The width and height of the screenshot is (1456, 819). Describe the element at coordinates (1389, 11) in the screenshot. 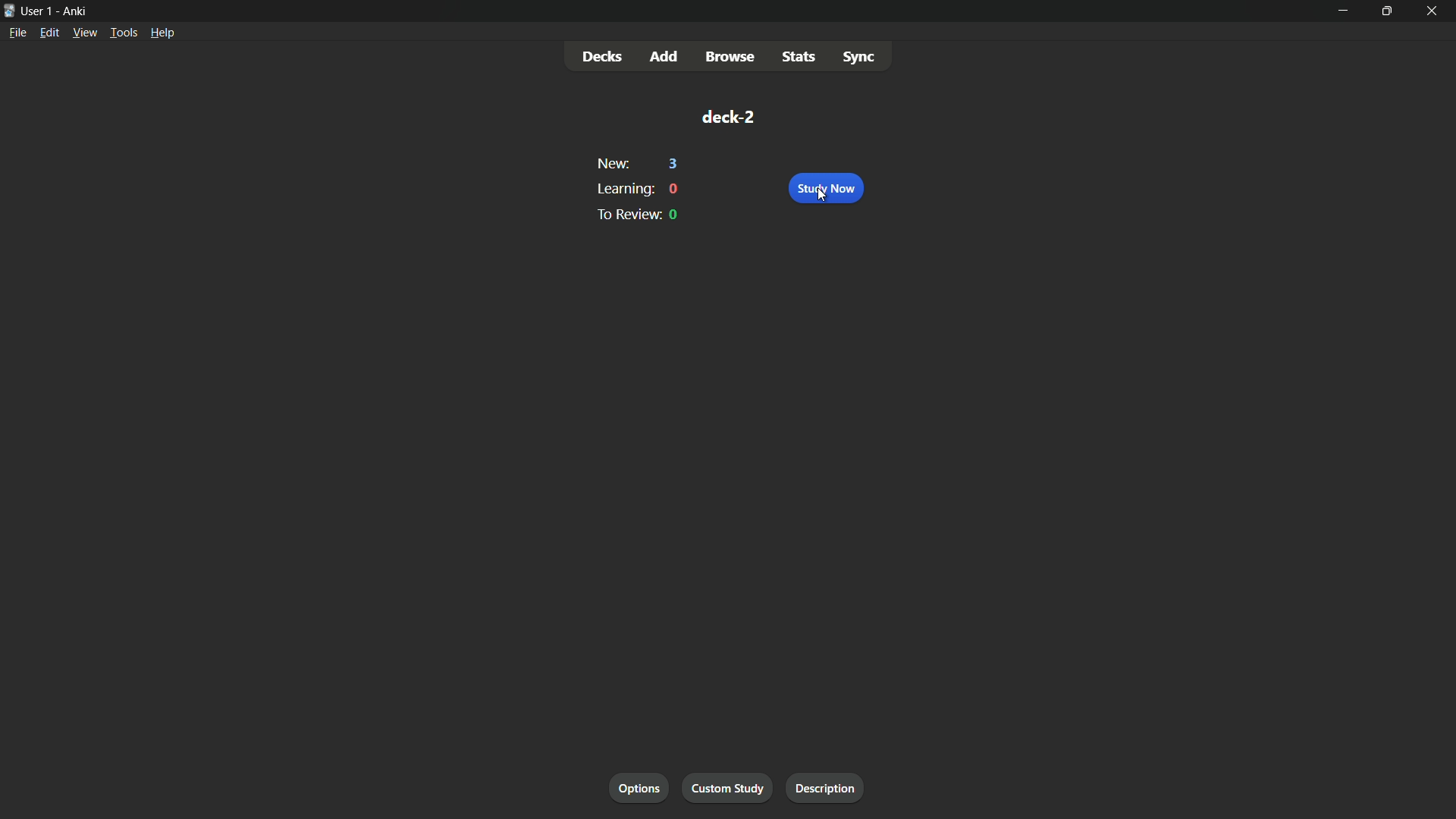

I see `maximize` at that location.